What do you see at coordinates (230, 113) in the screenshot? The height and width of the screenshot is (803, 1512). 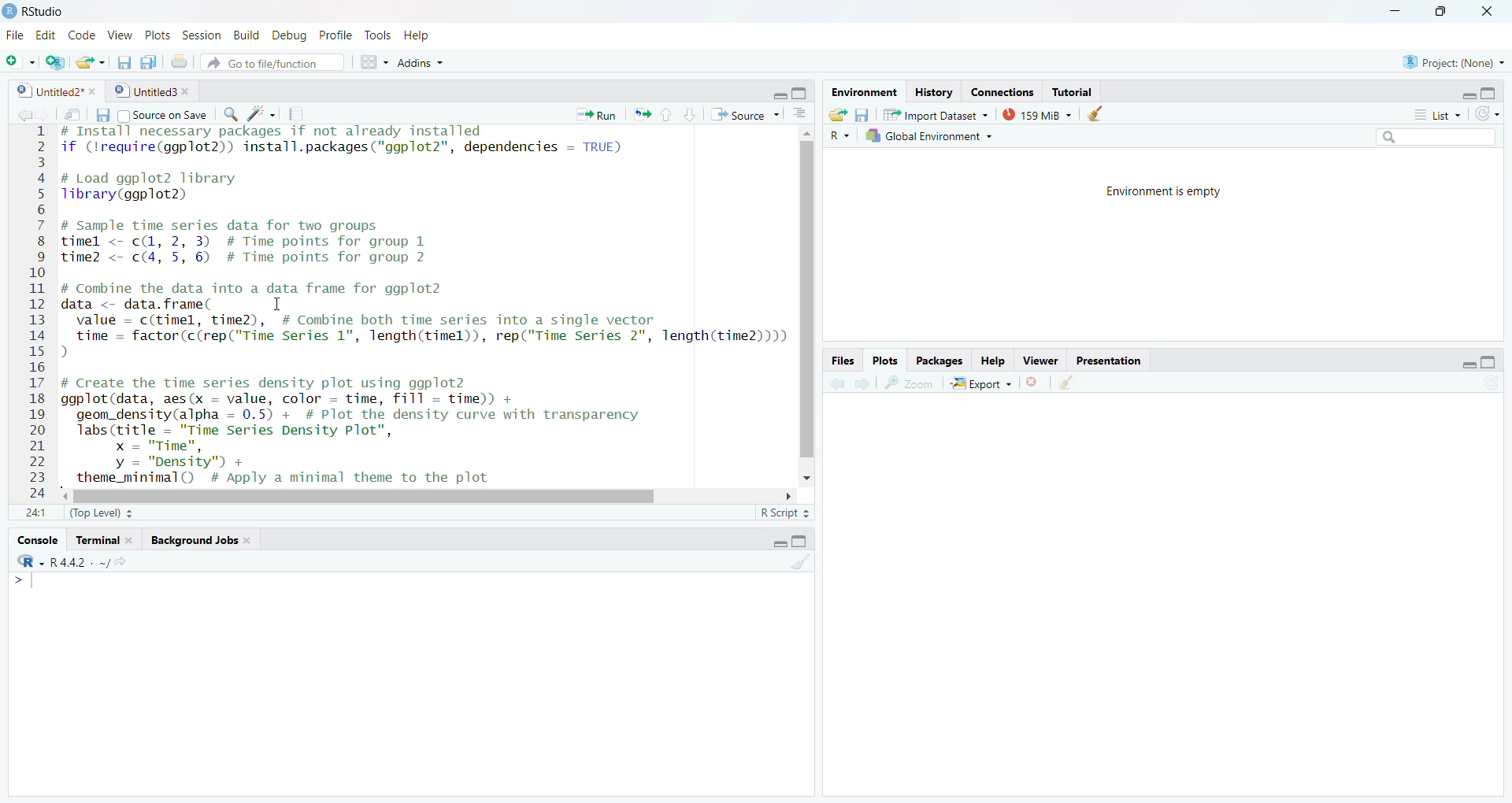 I see `Find/Replace` at bounding box center [230, 113].